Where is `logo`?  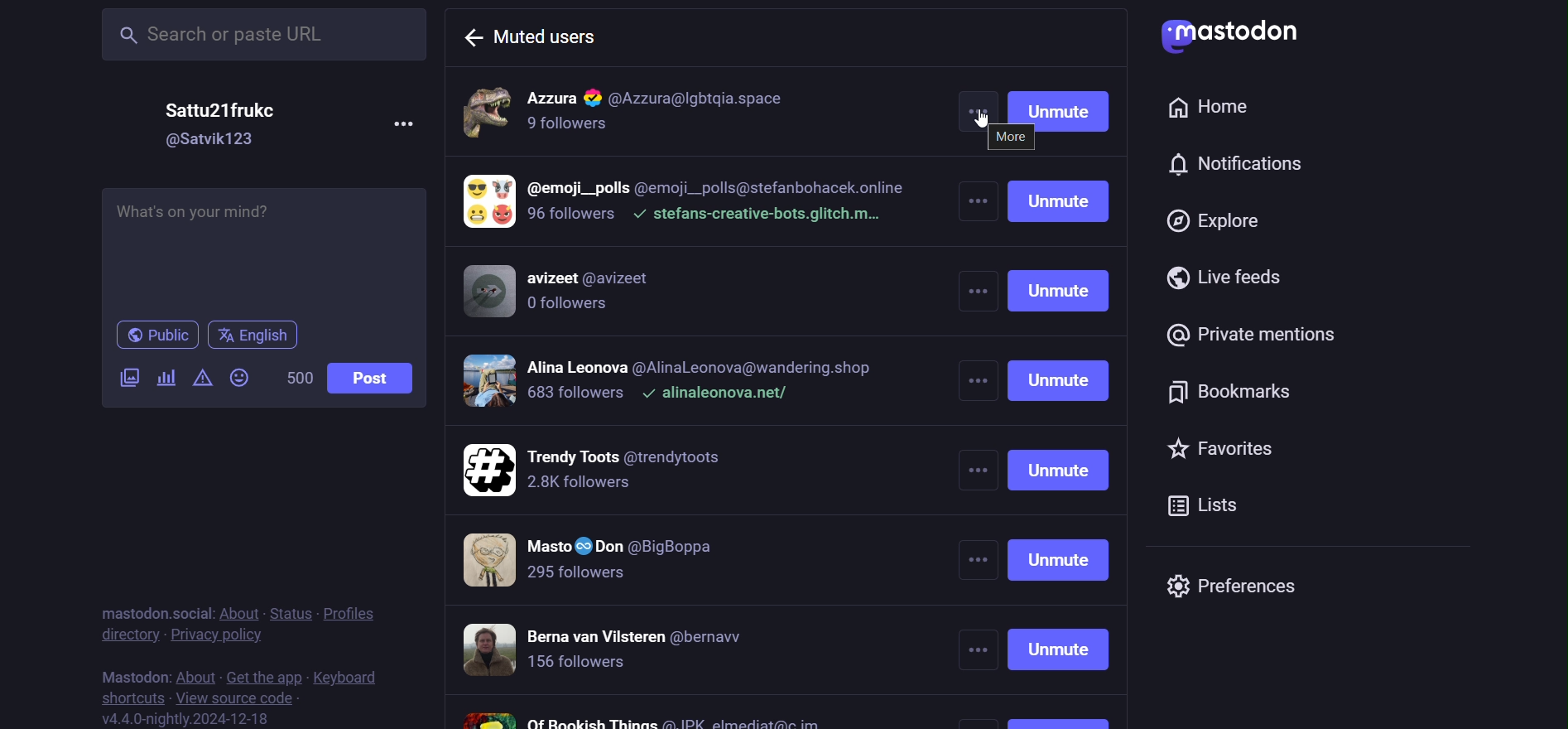
logo is located at coordinates (1229, 34).